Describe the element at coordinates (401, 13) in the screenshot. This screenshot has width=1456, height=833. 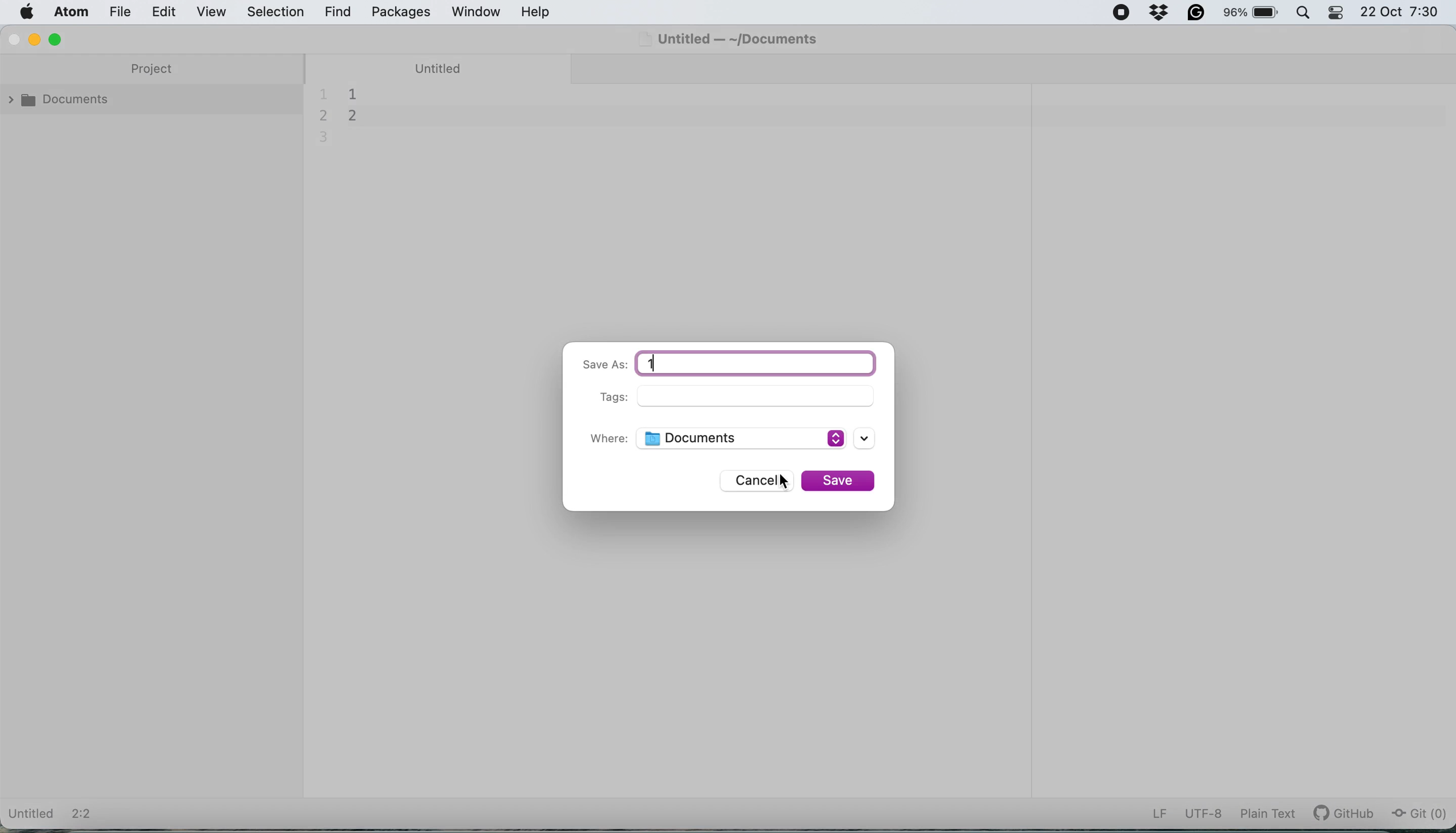
I see `packages` at that location.